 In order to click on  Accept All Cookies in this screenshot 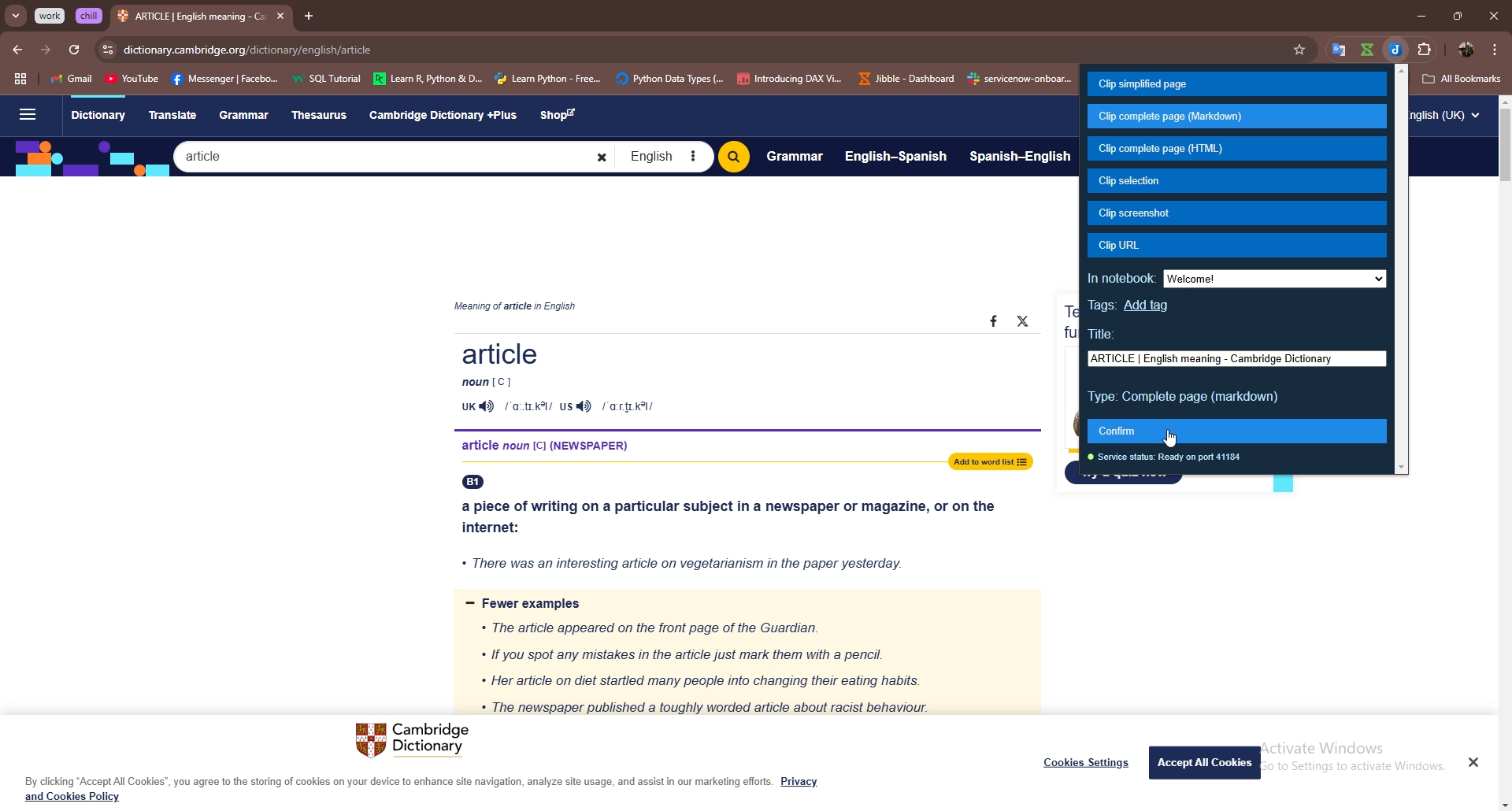, I will do `click(1206, 761)`.